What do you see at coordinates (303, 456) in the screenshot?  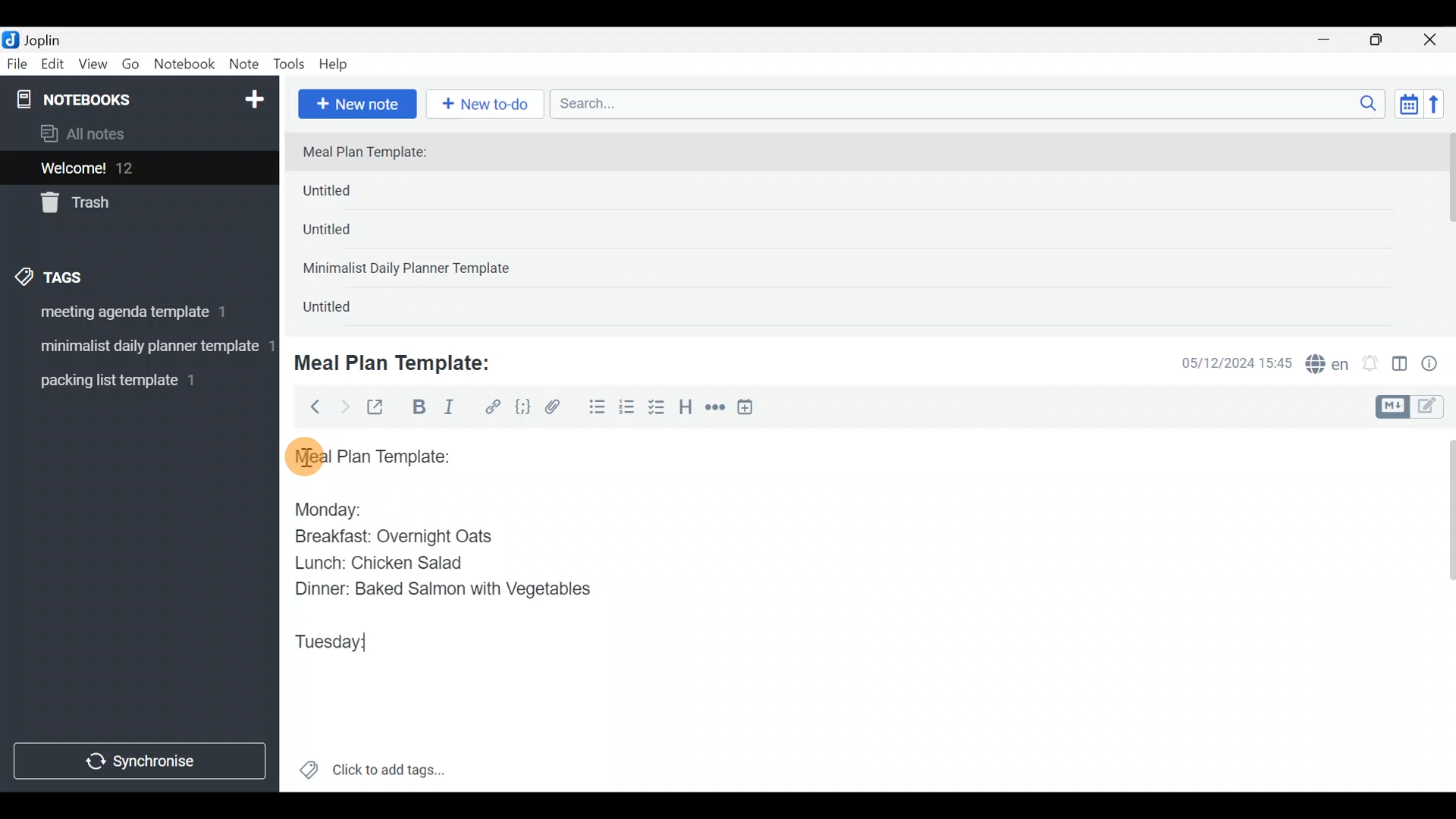 I see `cursor` at bounding box center [303, 456].